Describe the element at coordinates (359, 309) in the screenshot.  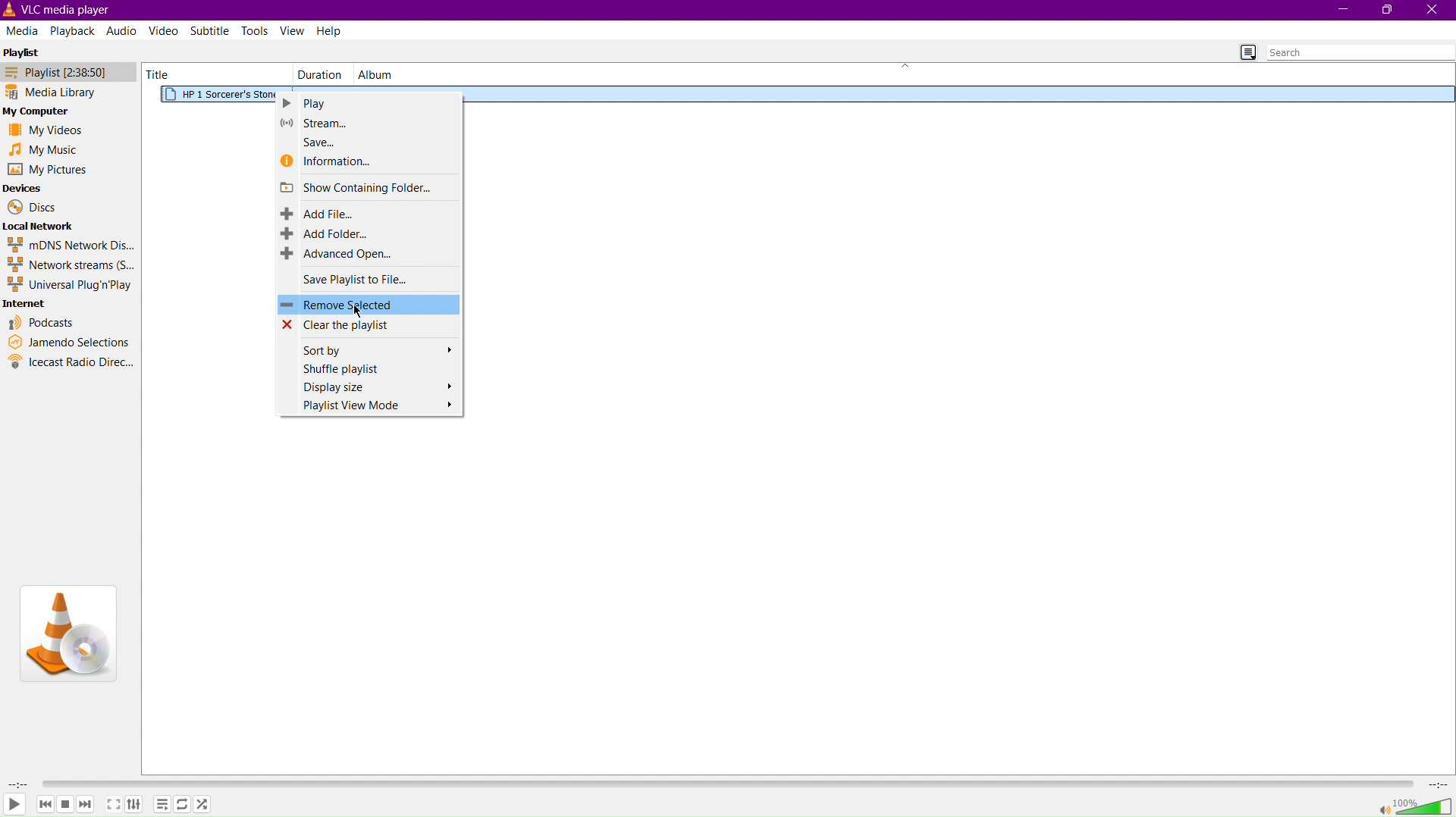
I see `Cursor Position` at that location.